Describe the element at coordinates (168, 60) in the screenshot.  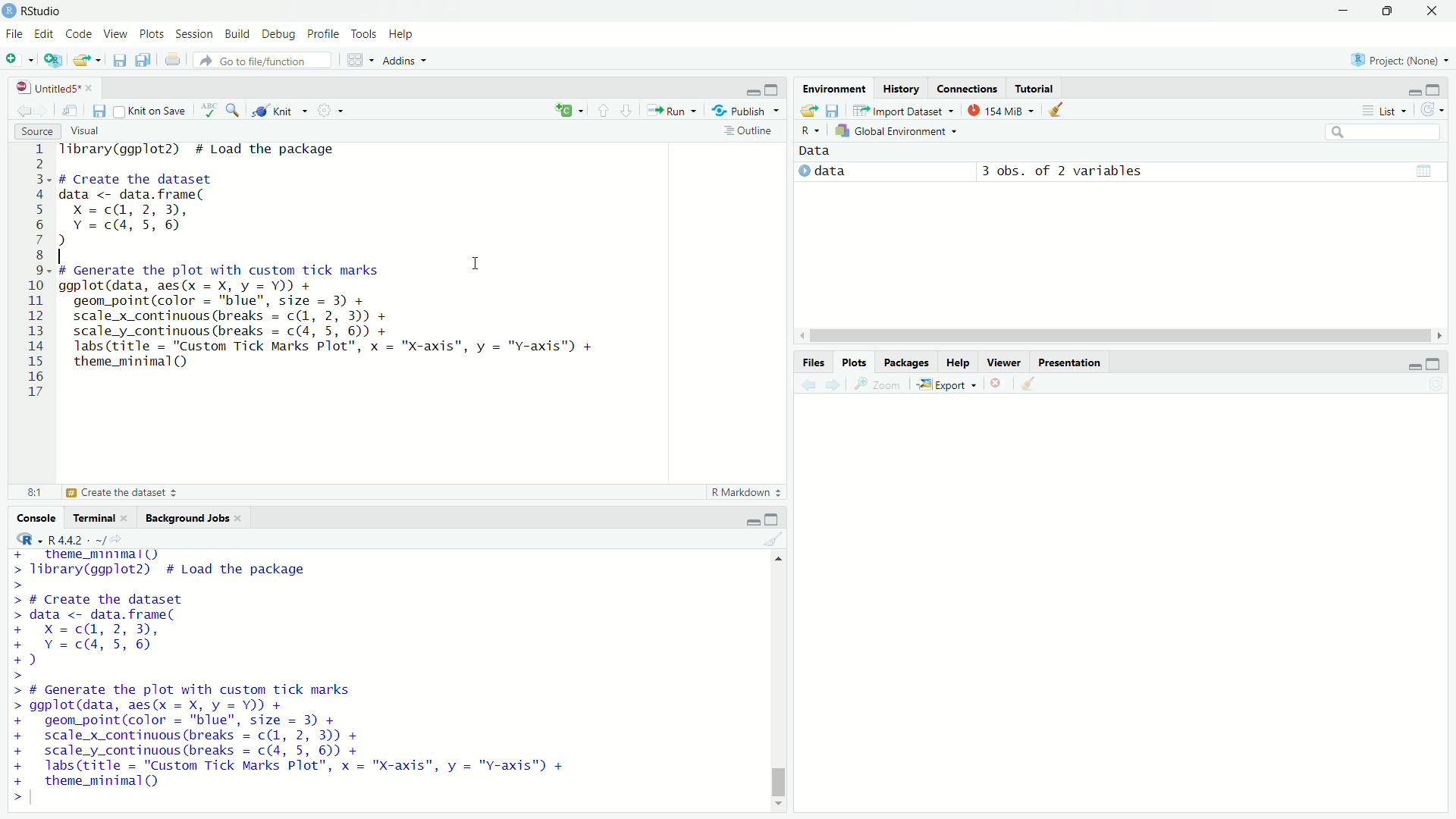
I see `print the current file` at that location.